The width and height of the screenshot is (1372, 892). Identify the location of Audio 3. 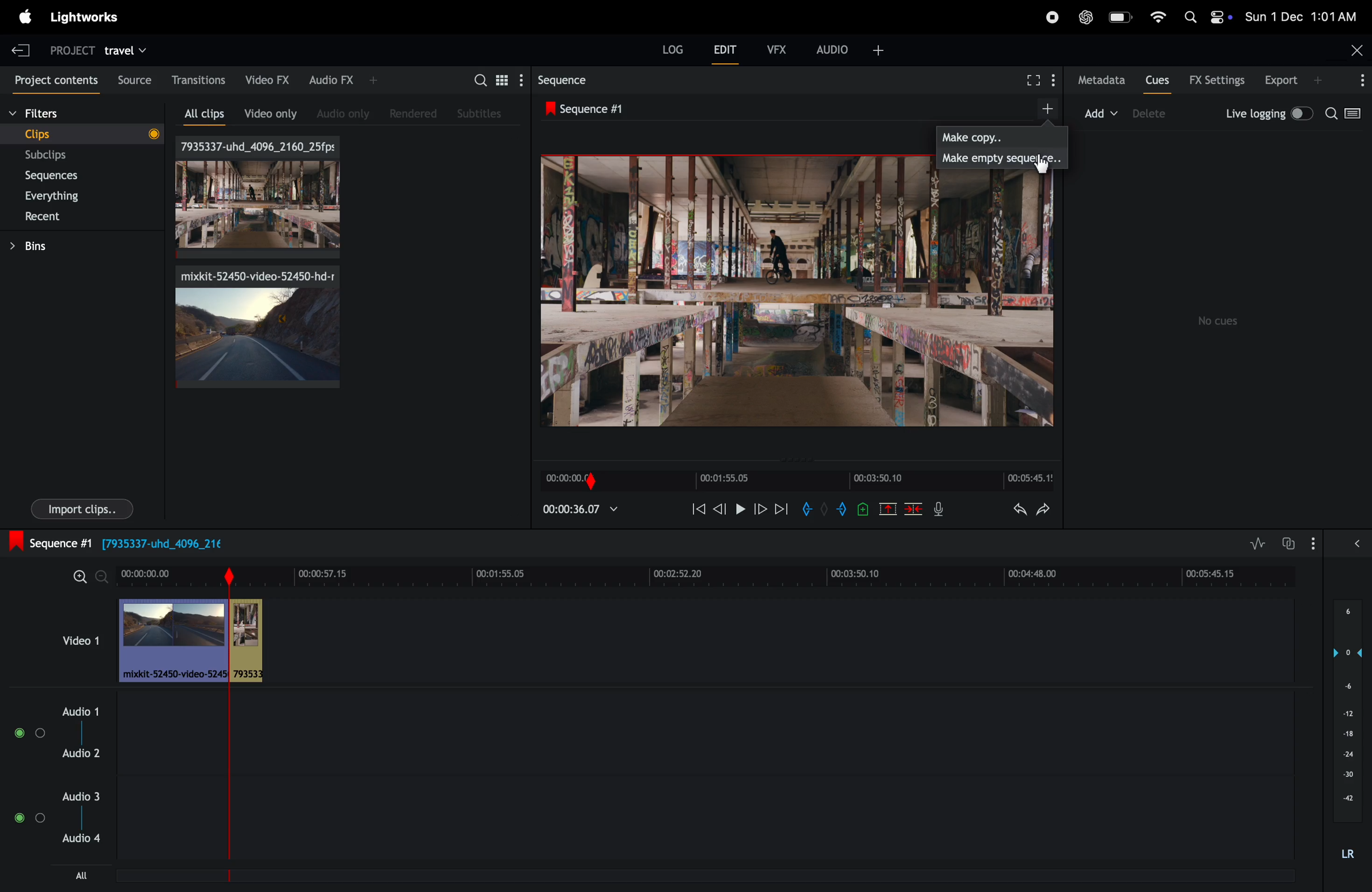
(85, 796).